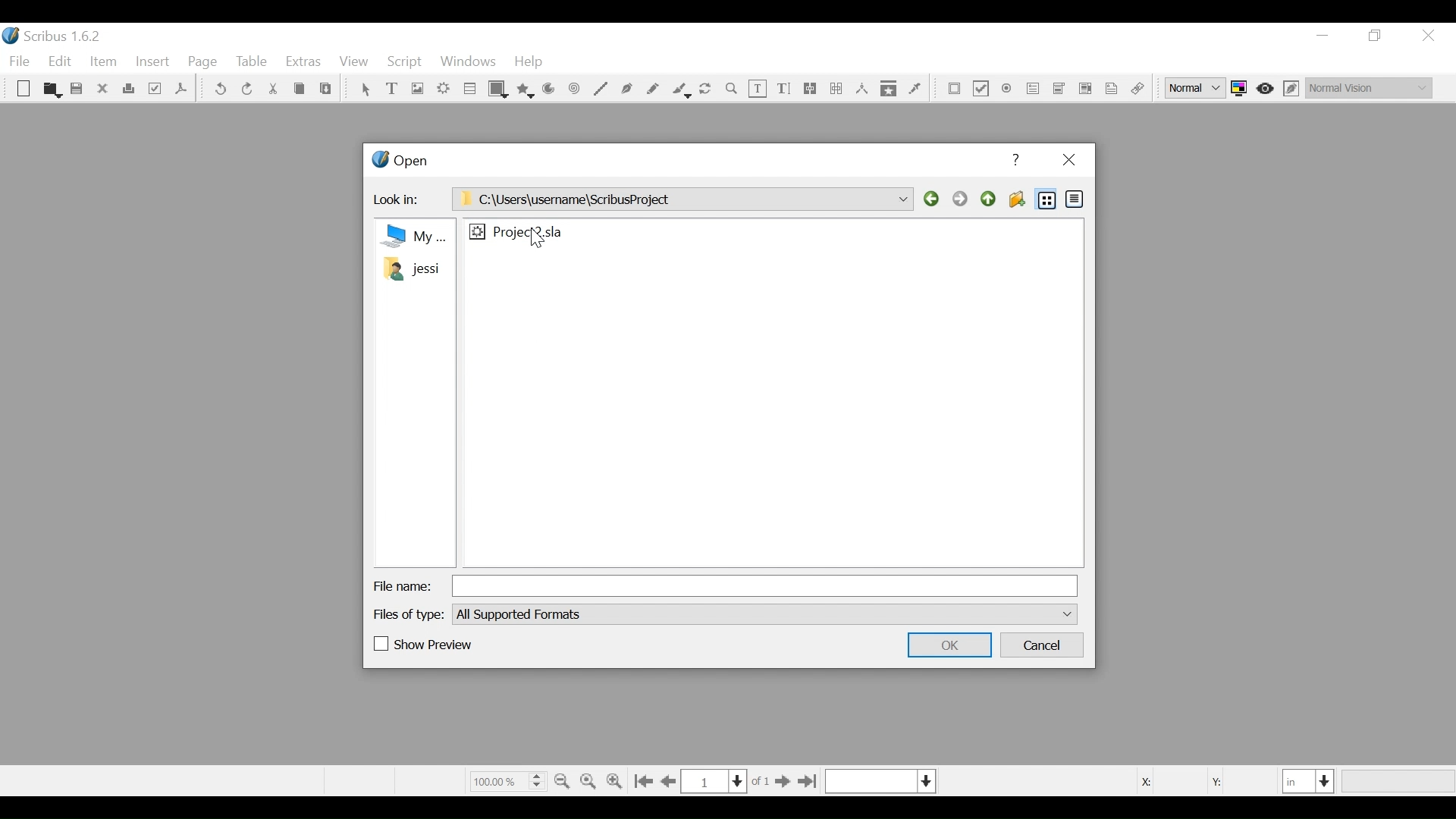 This screenshot has width=1456, height=819. What do you see at coordinates (507, 780) in the screenshot?
I see `Zoom Factor` at bounding box center [507, 780].